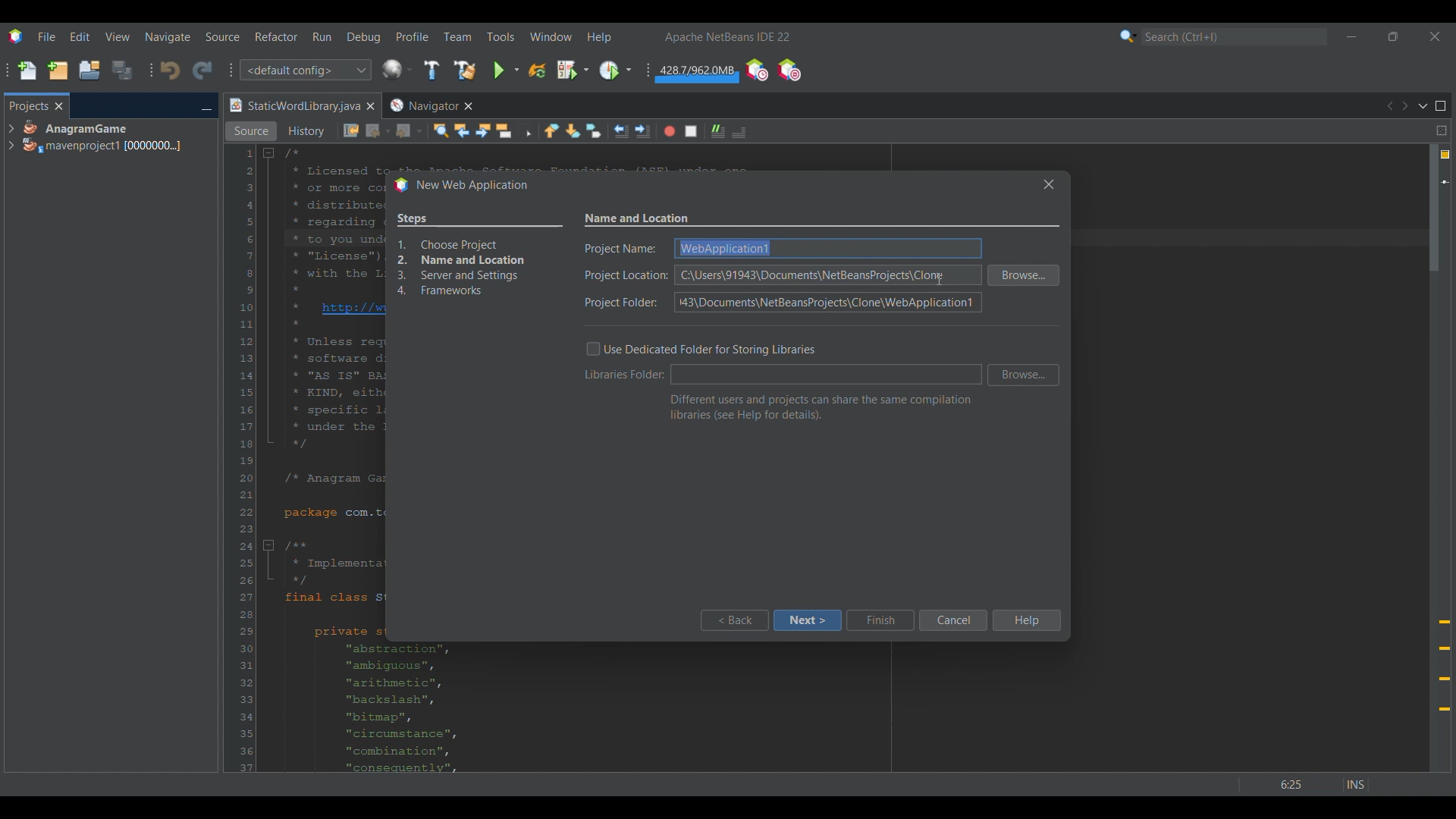 This screenshot has height=819, width=1456. Describe the element at coordinates (378, 131) in the screenshot. I see `Back` at that location.